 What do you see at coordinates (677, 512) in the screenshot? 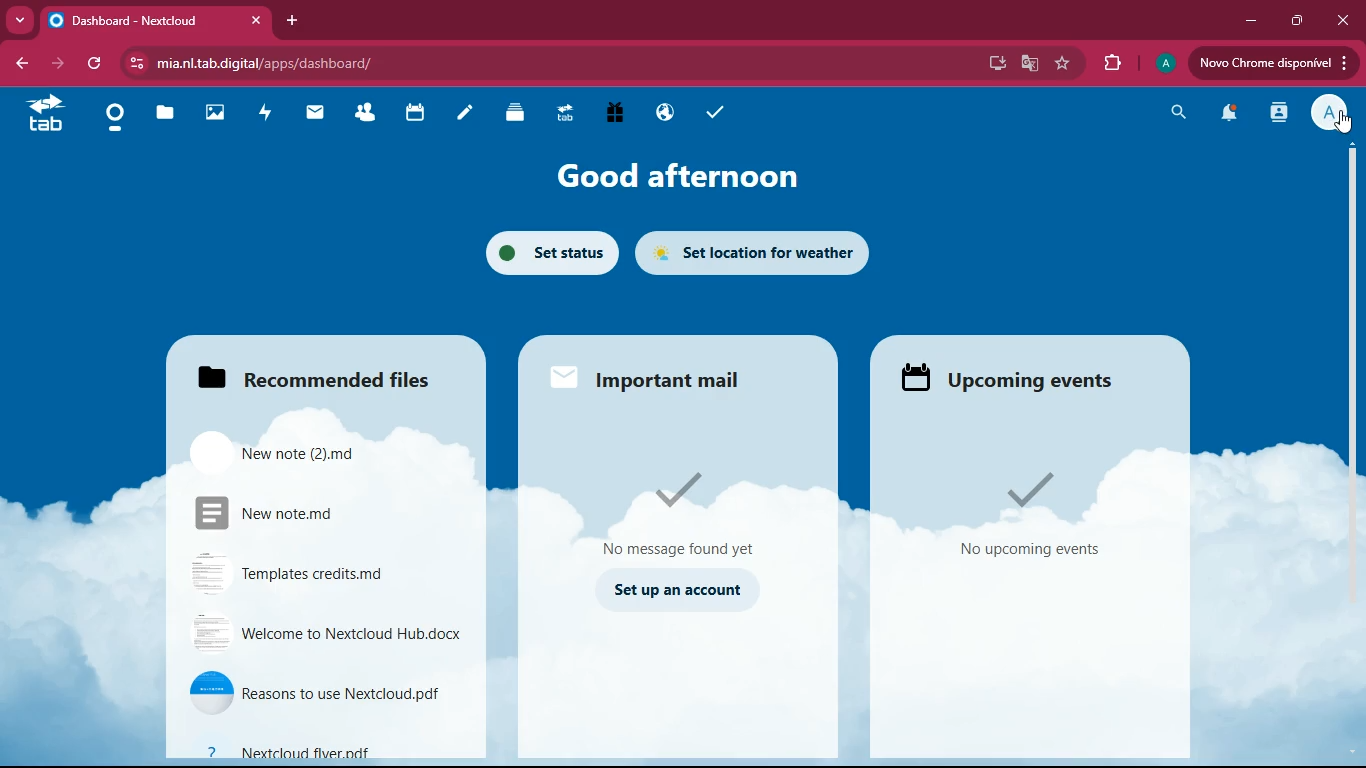
I see `no message` at bounding box center [677, 512].